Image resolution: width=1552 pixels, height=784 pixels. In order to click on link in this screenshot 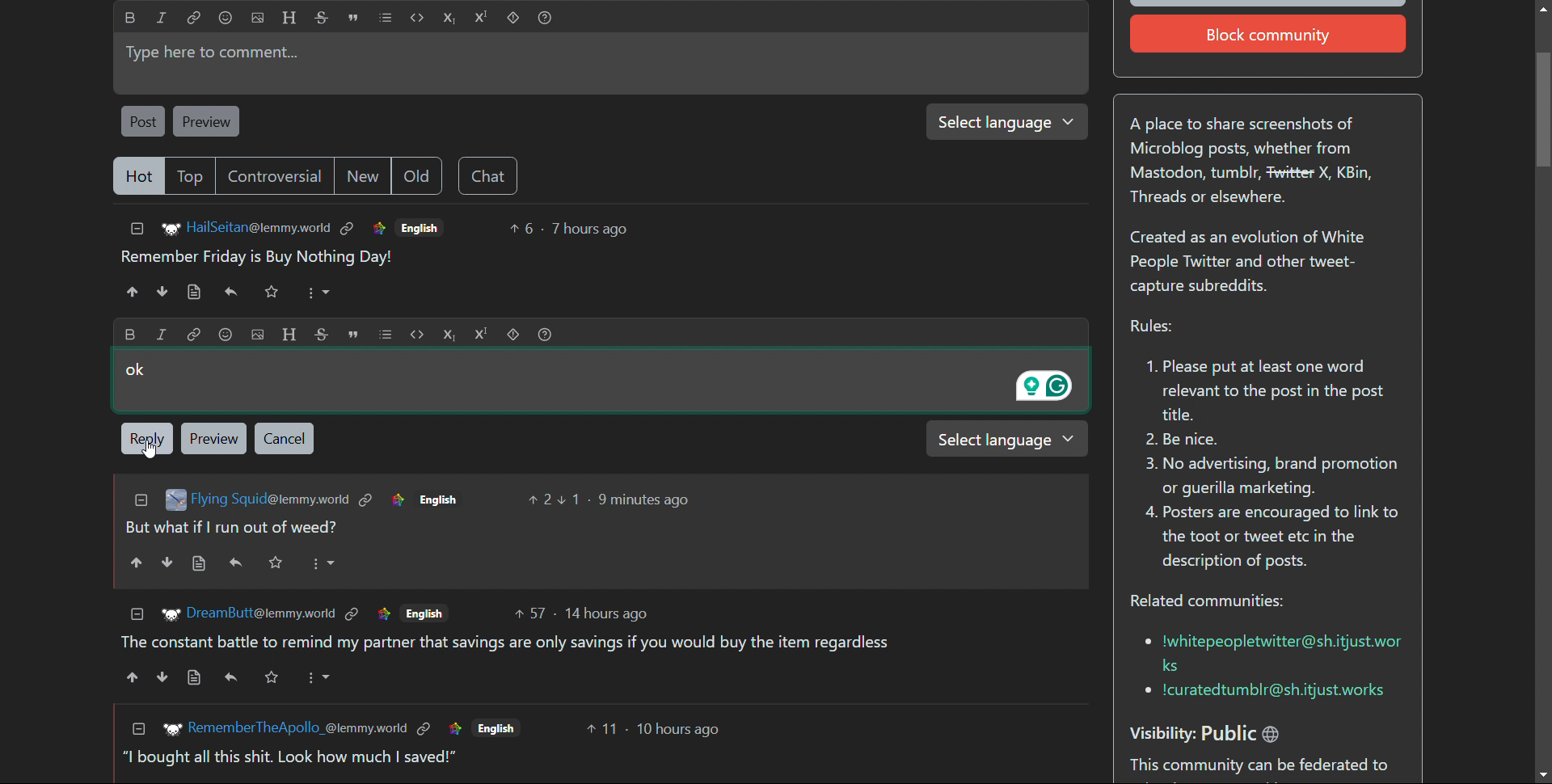, I will do `click(449, 730)`.